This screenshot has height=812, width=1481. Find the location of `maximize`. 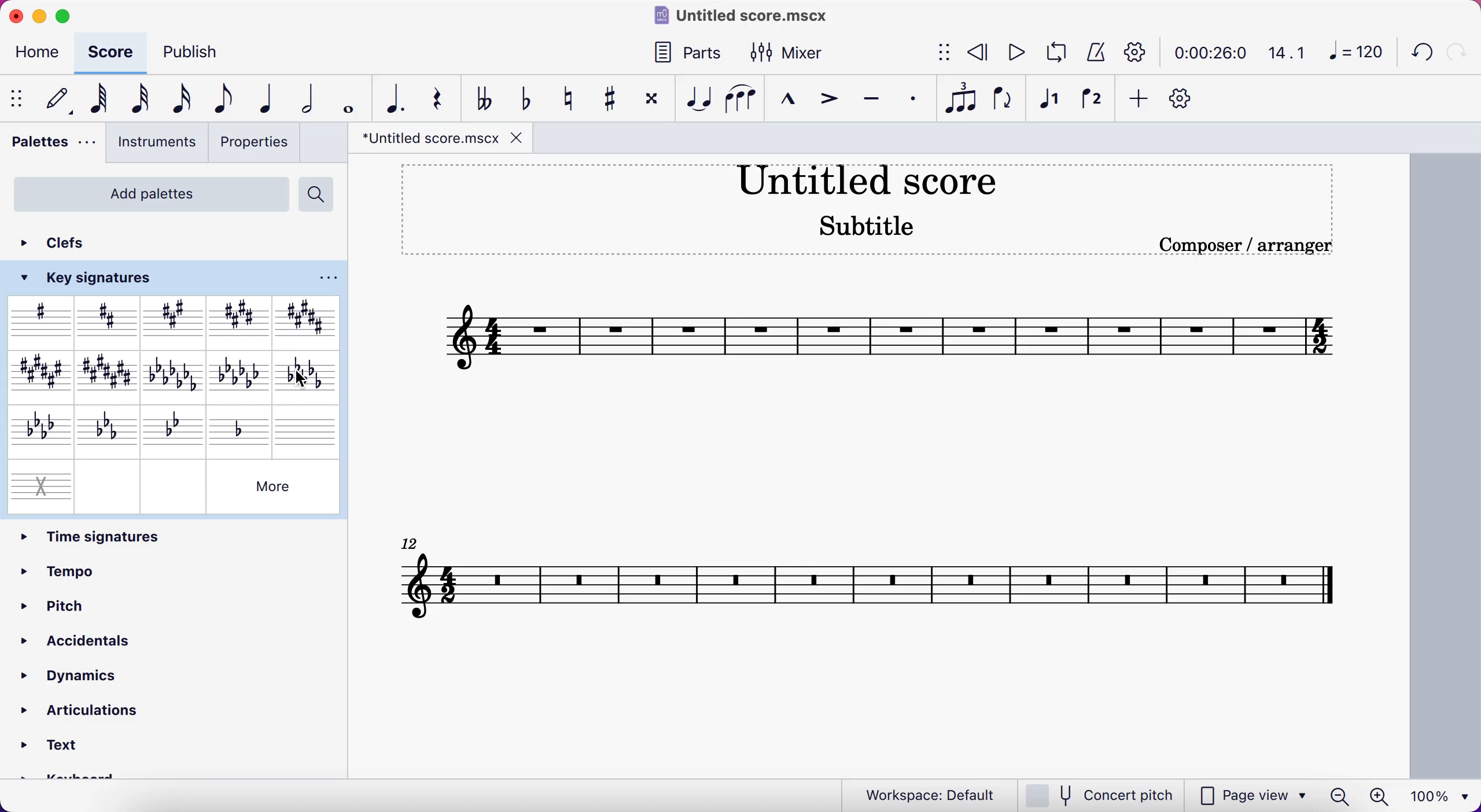

maximize is located at coordinates (68, 16).